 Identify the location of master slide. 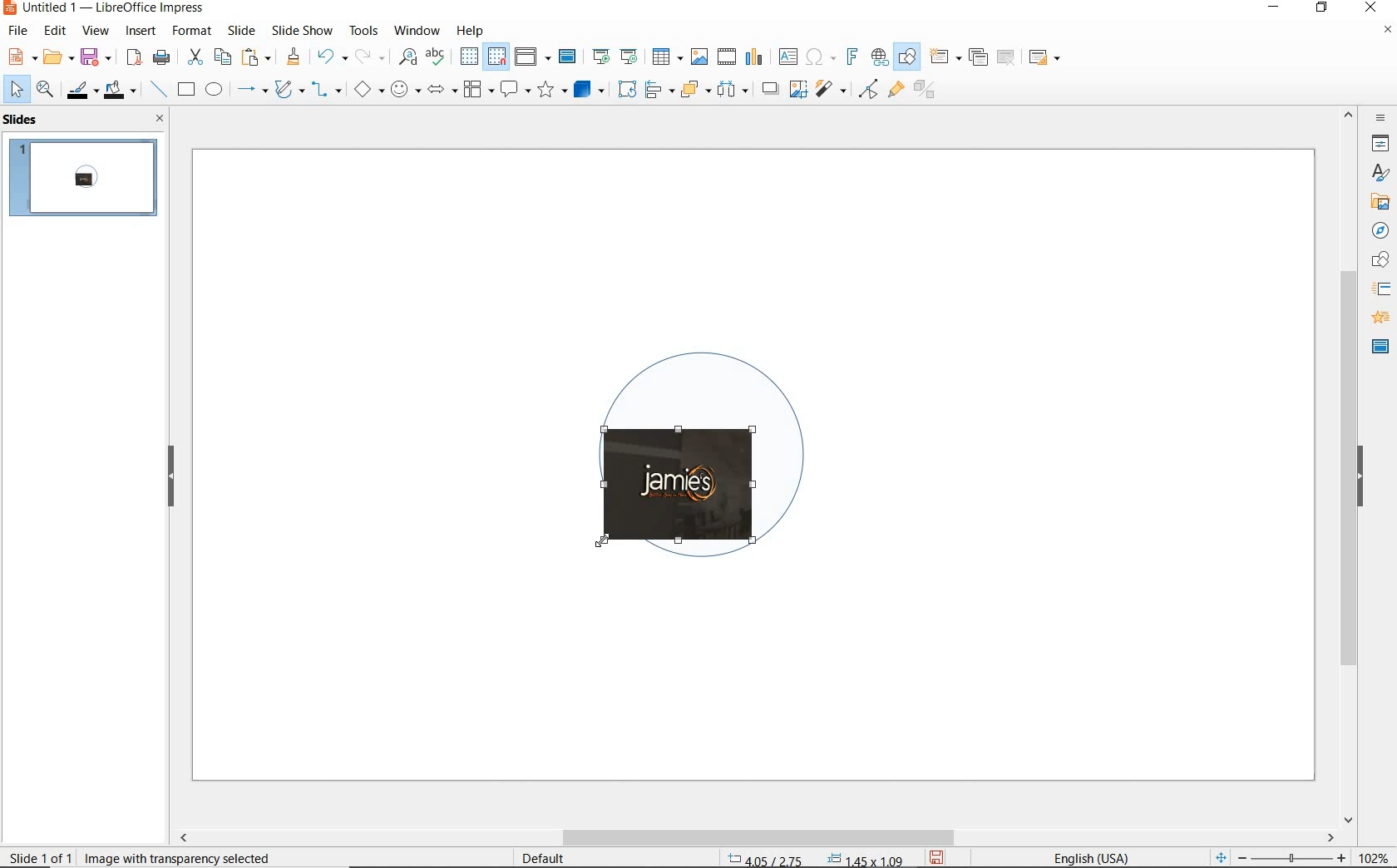
(570, 57).